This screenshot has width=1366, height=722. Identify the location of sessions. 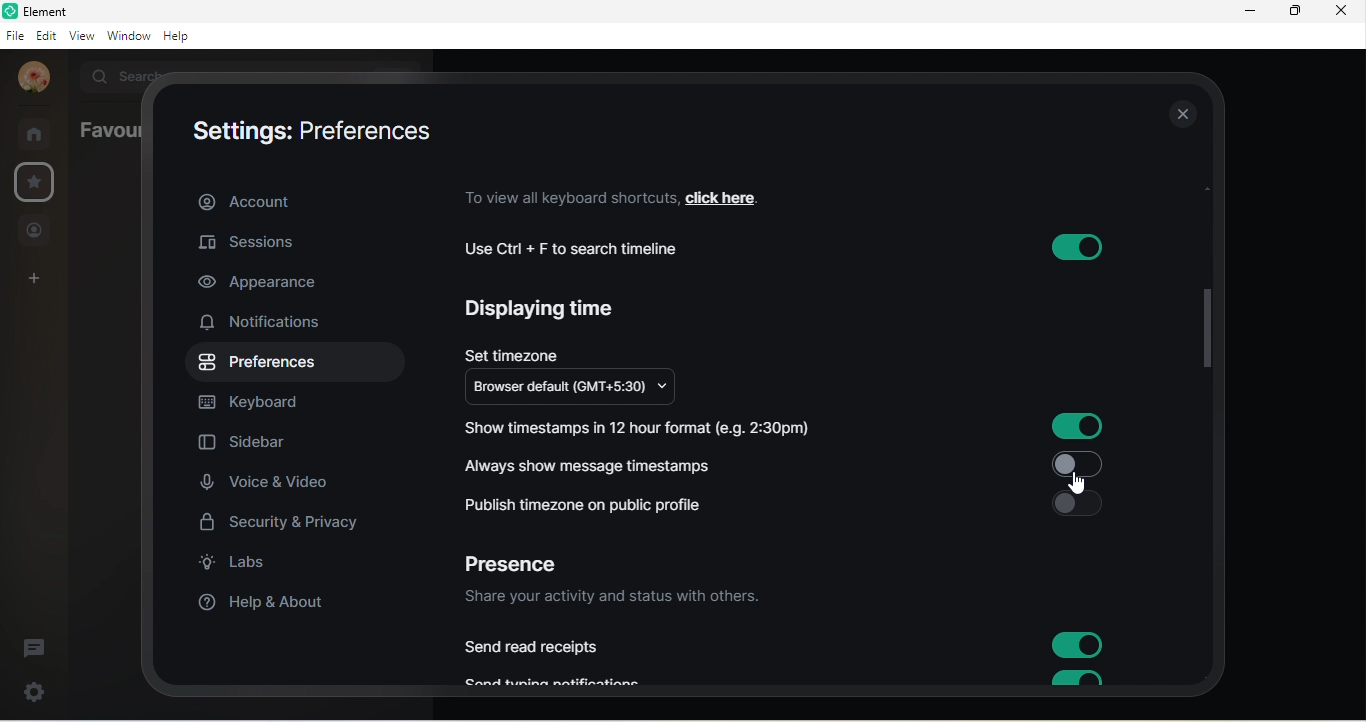
(271, 241).